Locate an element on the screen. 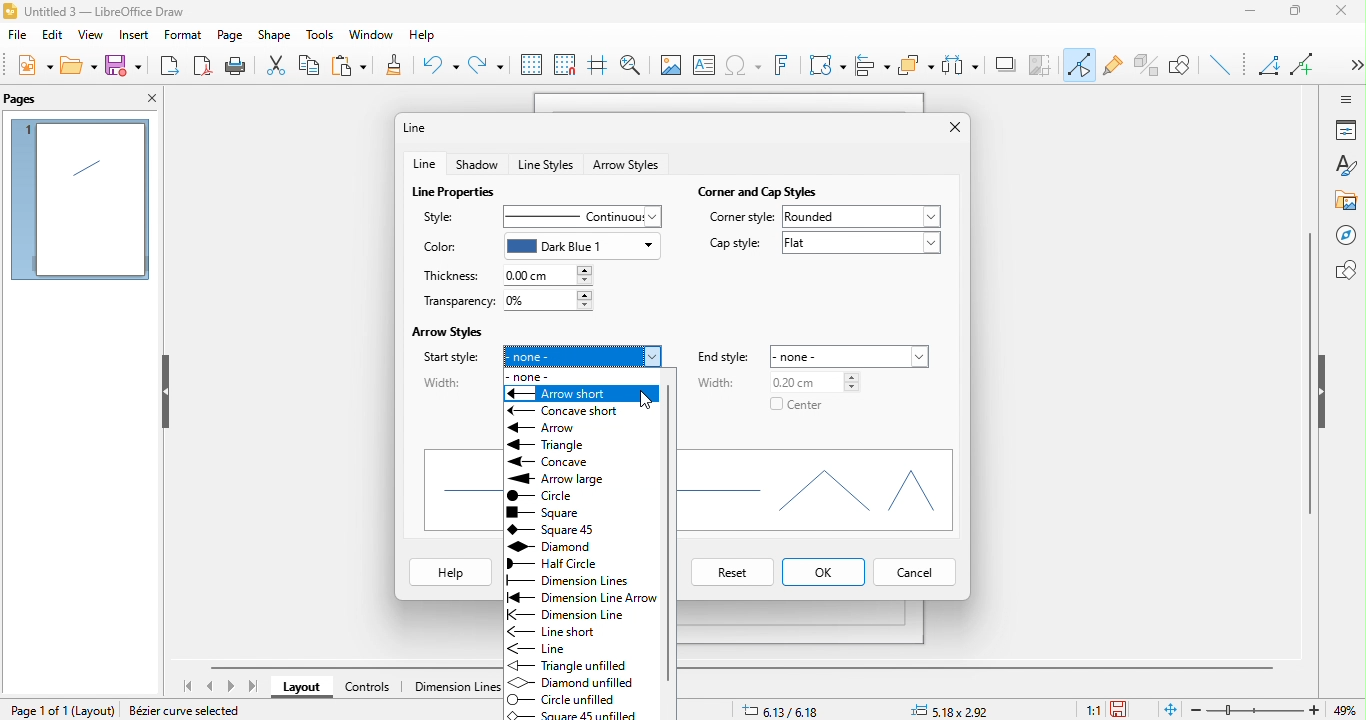 The image size is (1366, 720). font work text is located at coordinates (786, 69).